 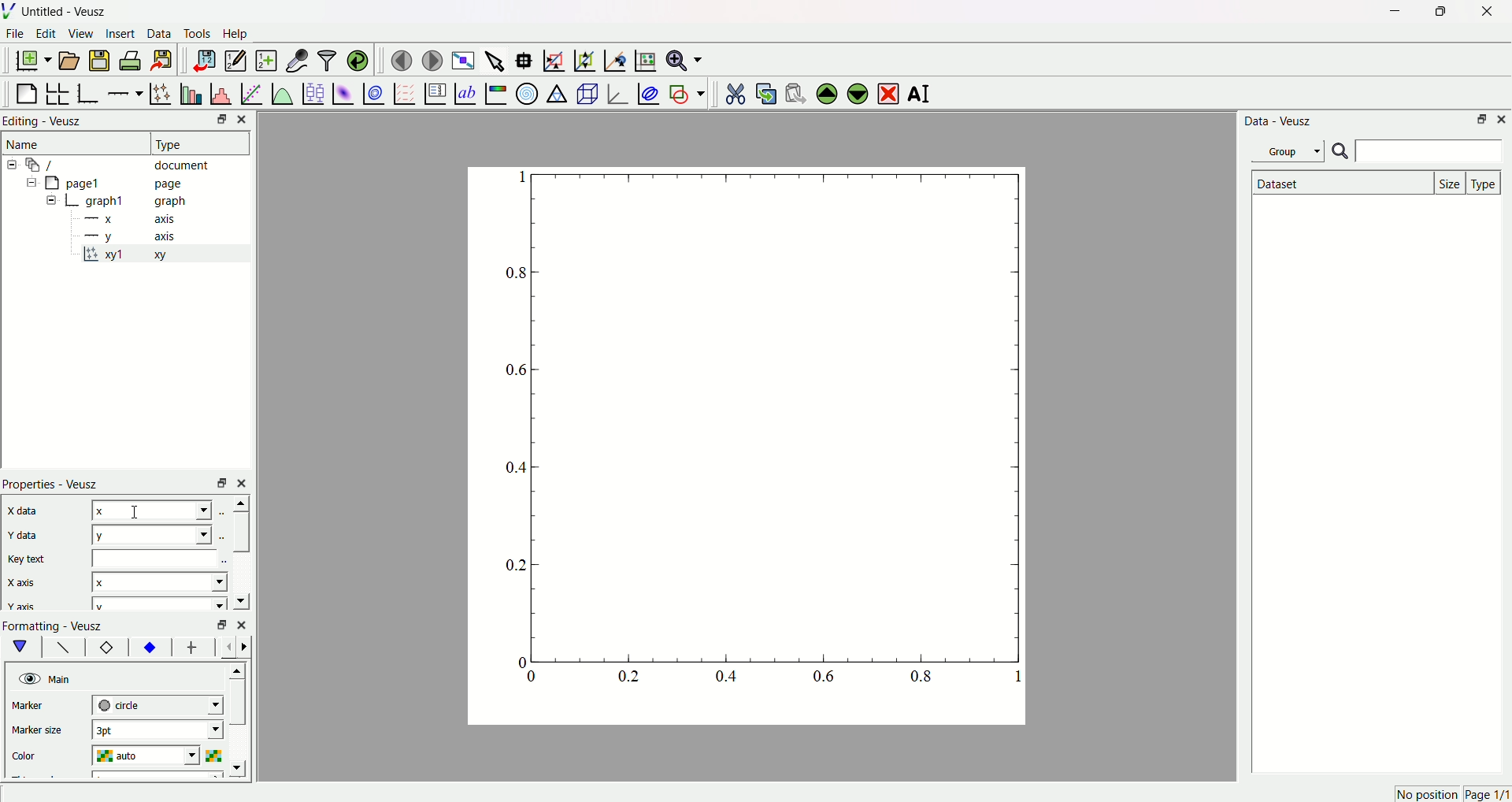 What do you see at coordinates (28, 678) in the screenshot?
I see `hide/unhide` at bounding box center [28, 678].